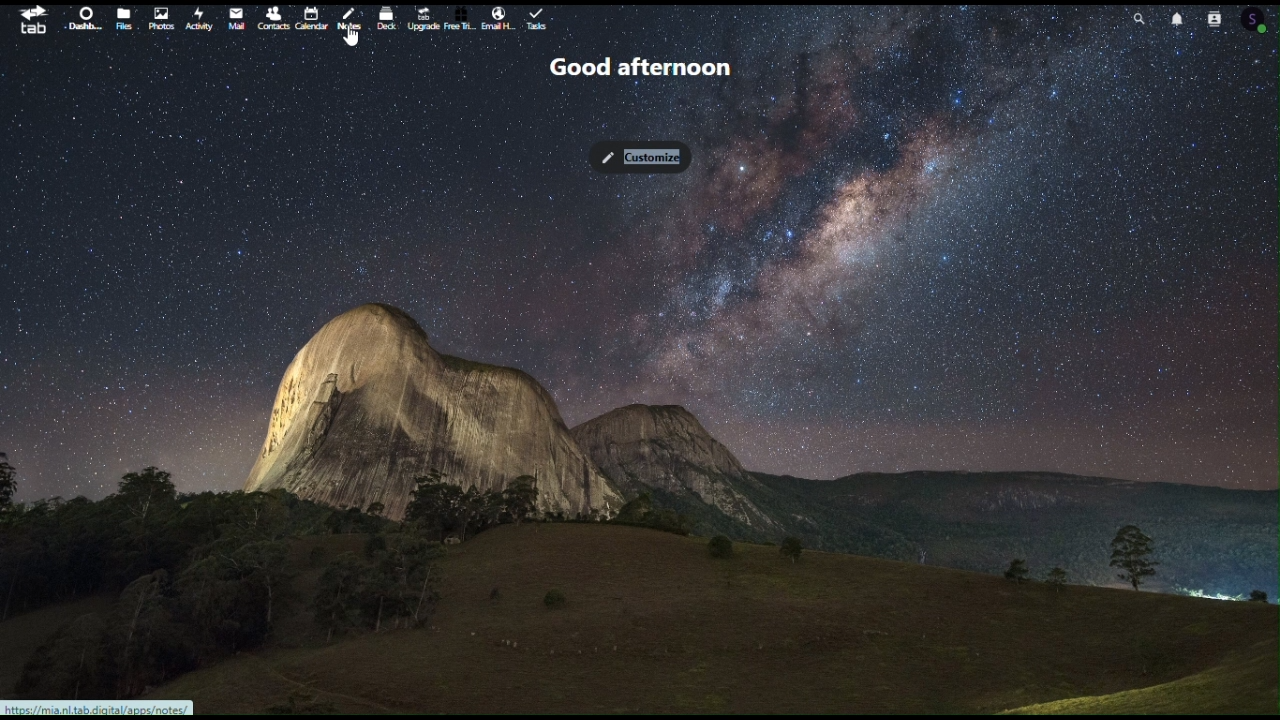 The image size is (1280, 720). Describe the element at coordinates (540, 20) in the screenshot. I see `Task` at that location.